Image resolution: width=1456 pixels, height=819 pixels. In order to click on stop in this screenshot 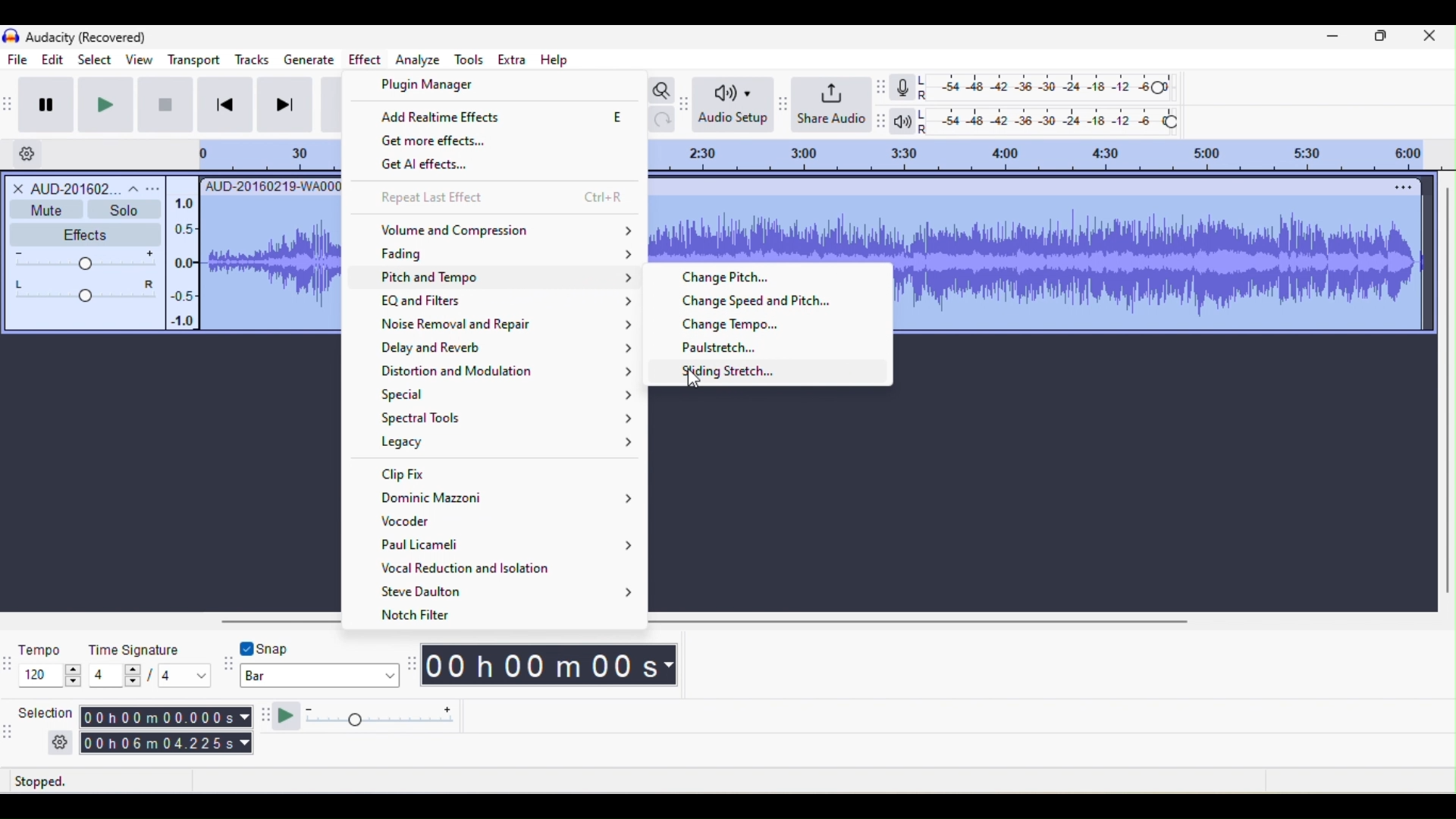, I will do `click(163, 104)`.